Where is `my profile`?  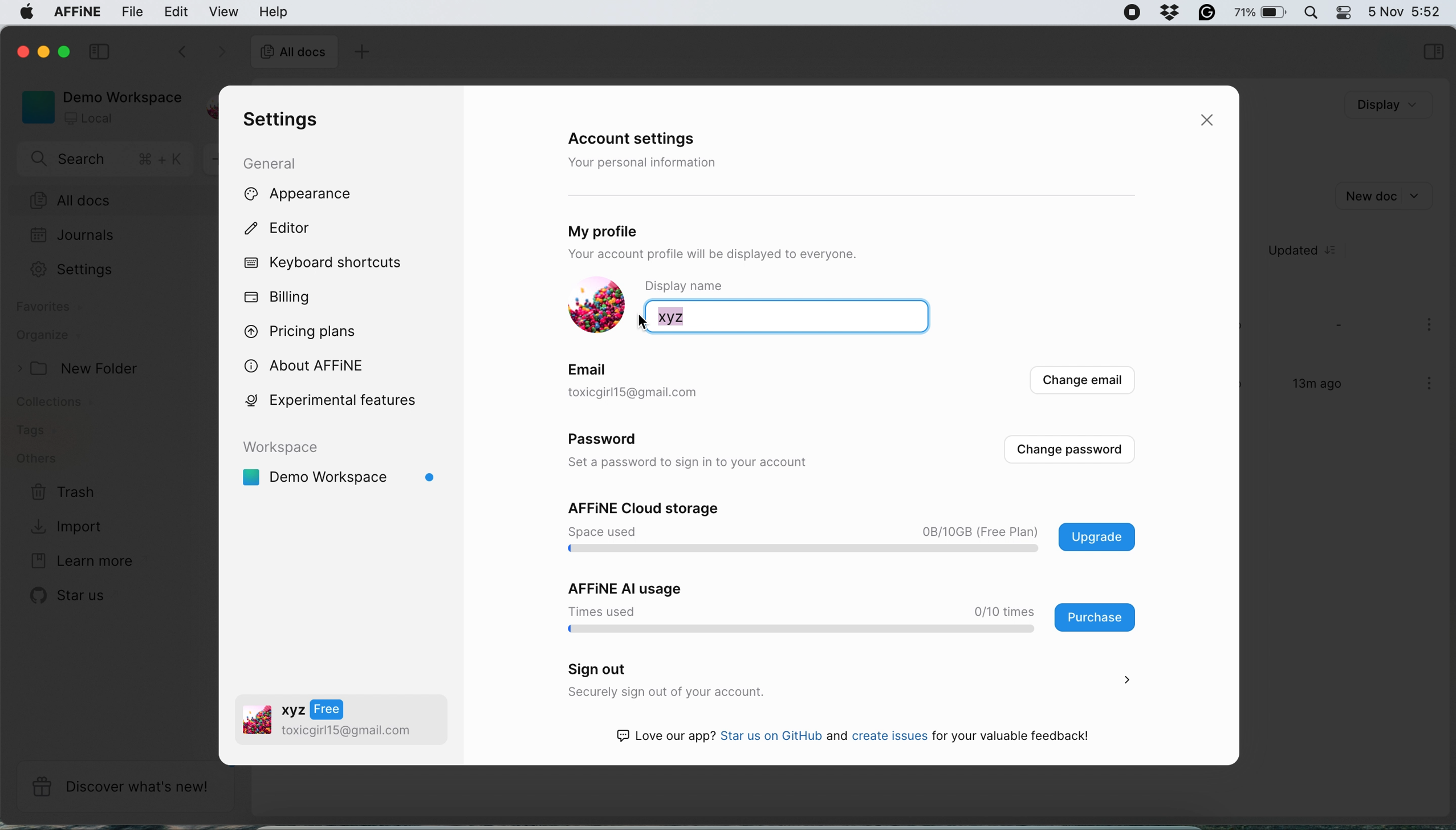 my profile is located at coordinates (639, 228).